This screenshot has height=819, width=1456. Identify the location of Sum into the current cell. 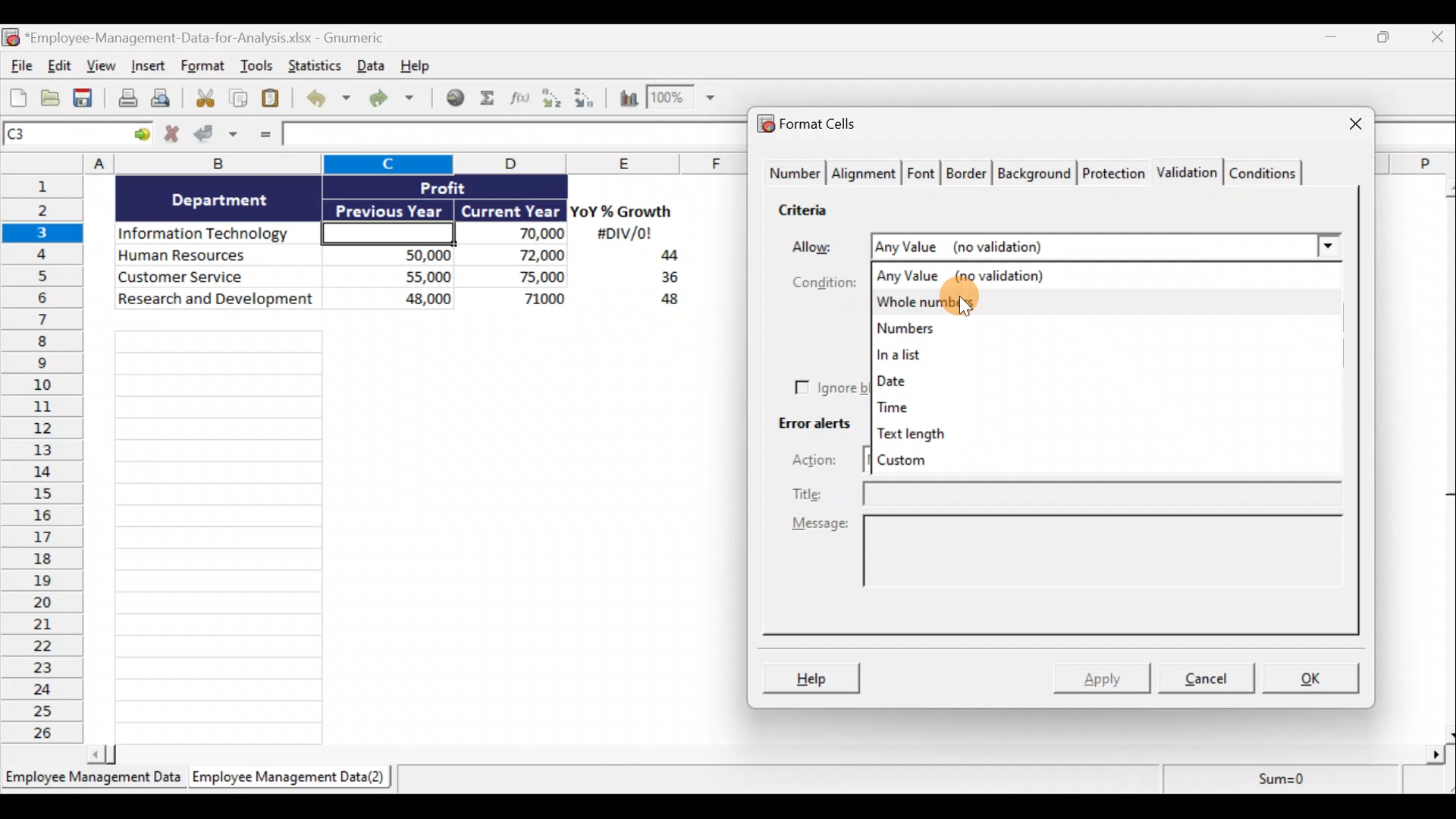
(489, 99).